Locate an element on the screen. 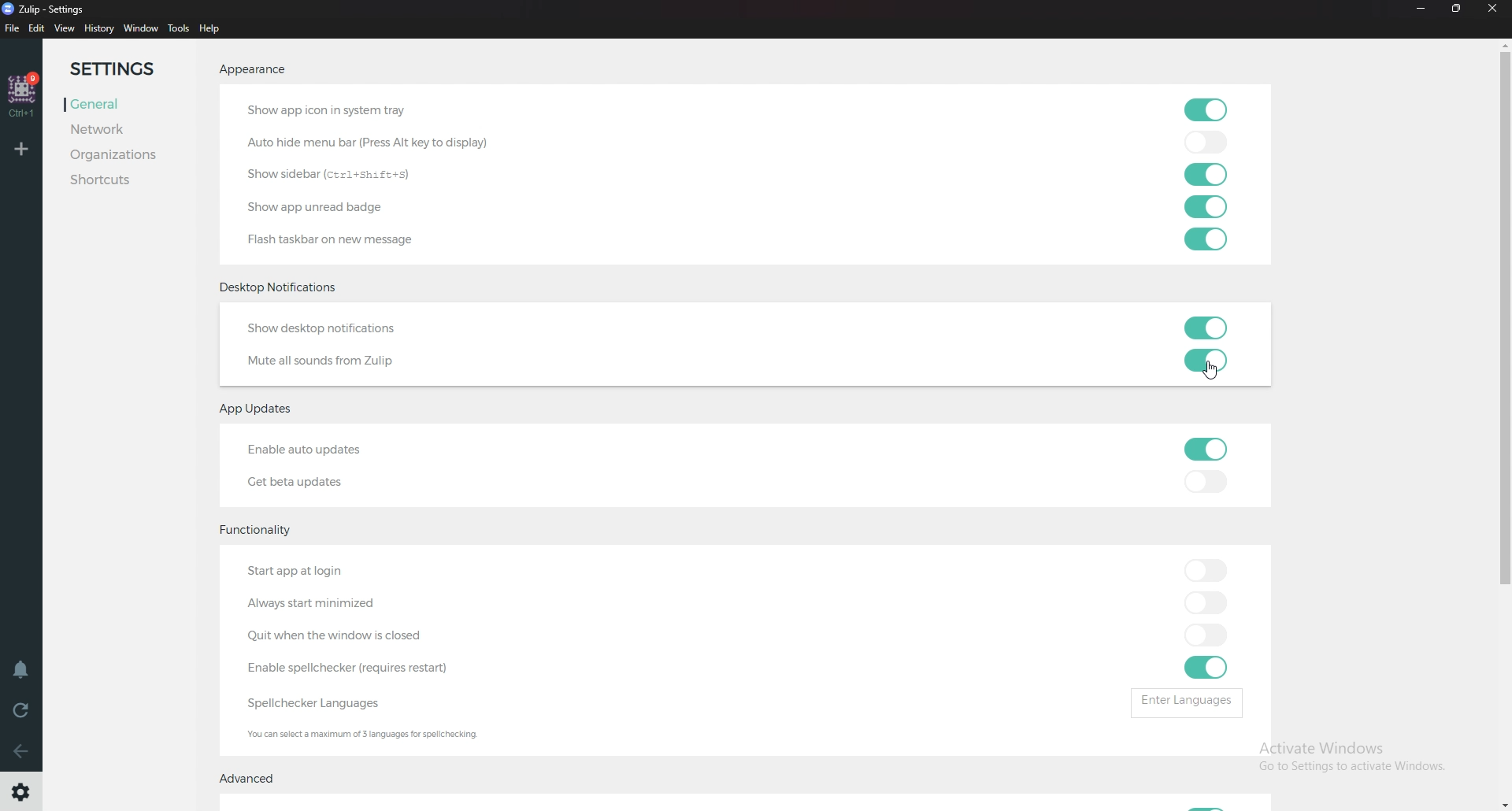  scroll bar is located at coordinates (1497, 425).